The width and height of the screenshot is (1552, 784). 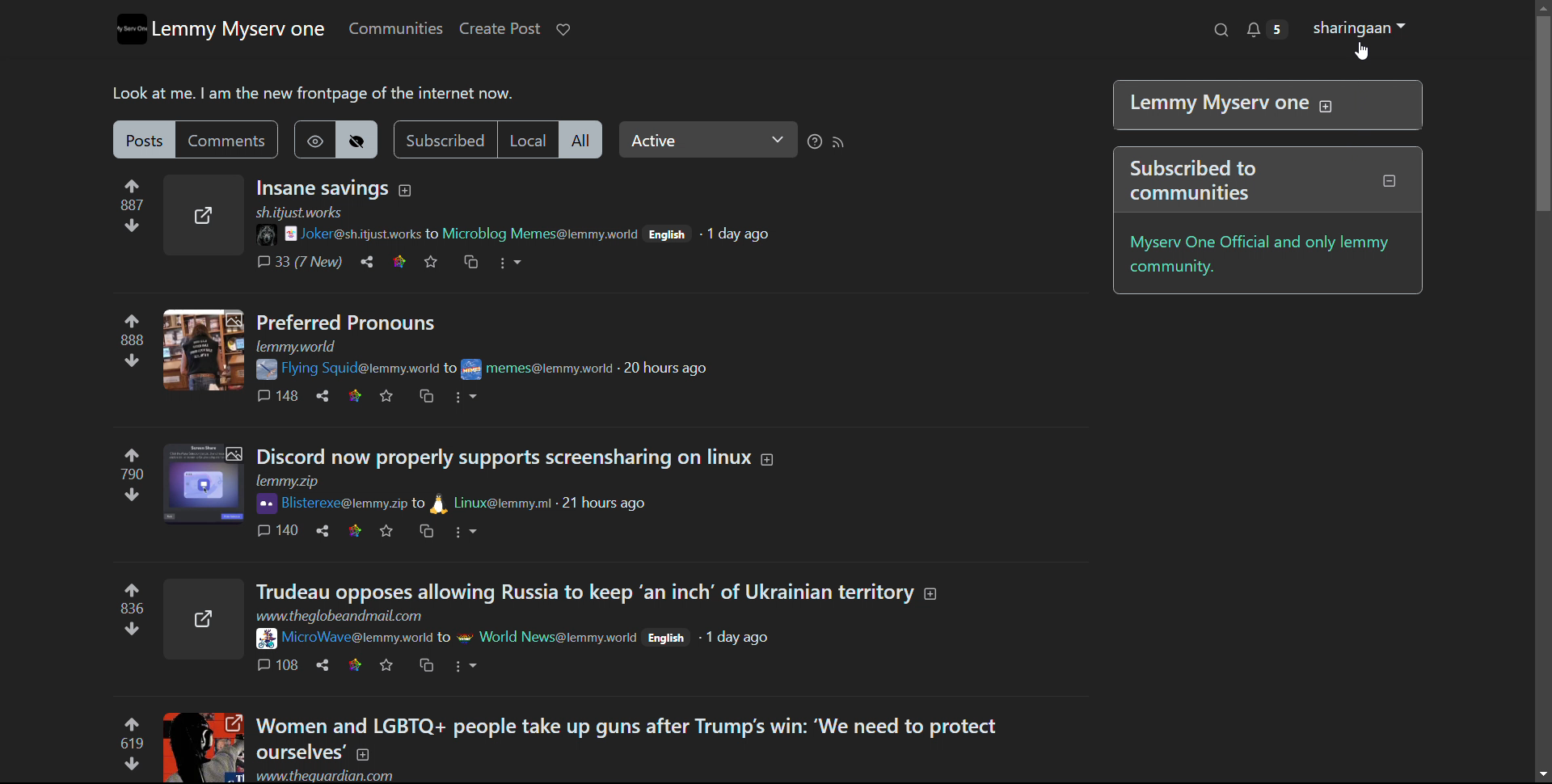 I want to click on Discord now properly support screensharing on linux, so click(x=502, y=457).